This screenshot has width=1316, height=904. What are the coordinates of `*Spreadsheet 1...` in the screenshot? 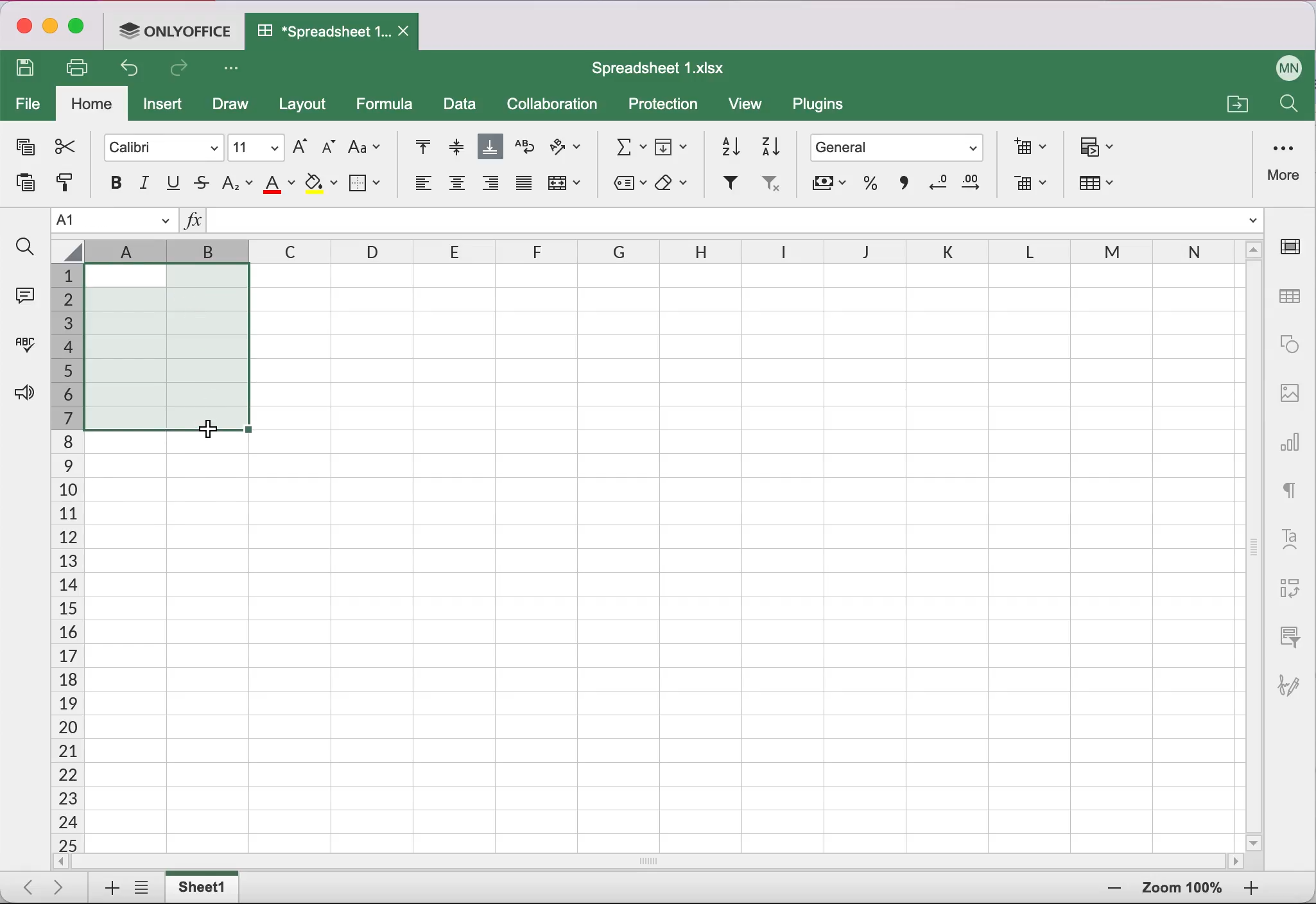 It's located at (318, 31).